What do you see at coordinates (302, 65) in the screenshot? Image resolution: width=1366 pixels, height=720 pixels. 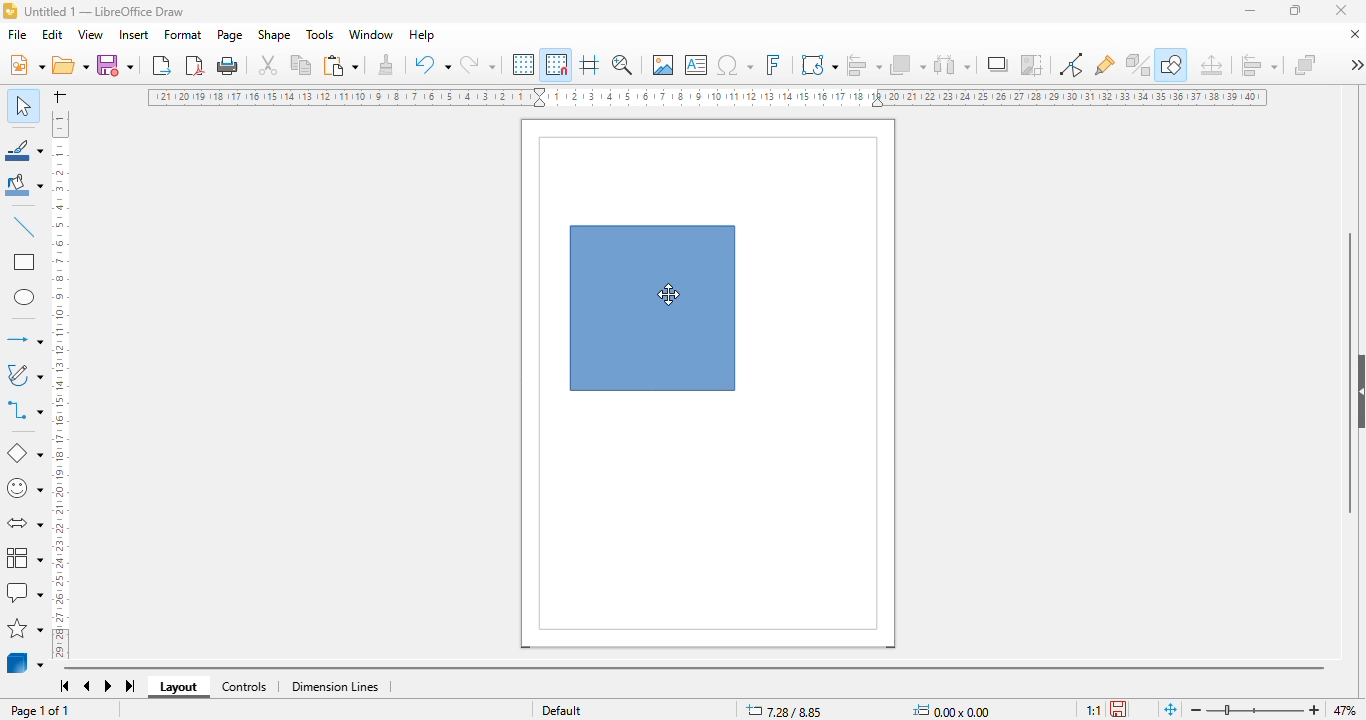 I see `copy` at bounding box center [302, 65].